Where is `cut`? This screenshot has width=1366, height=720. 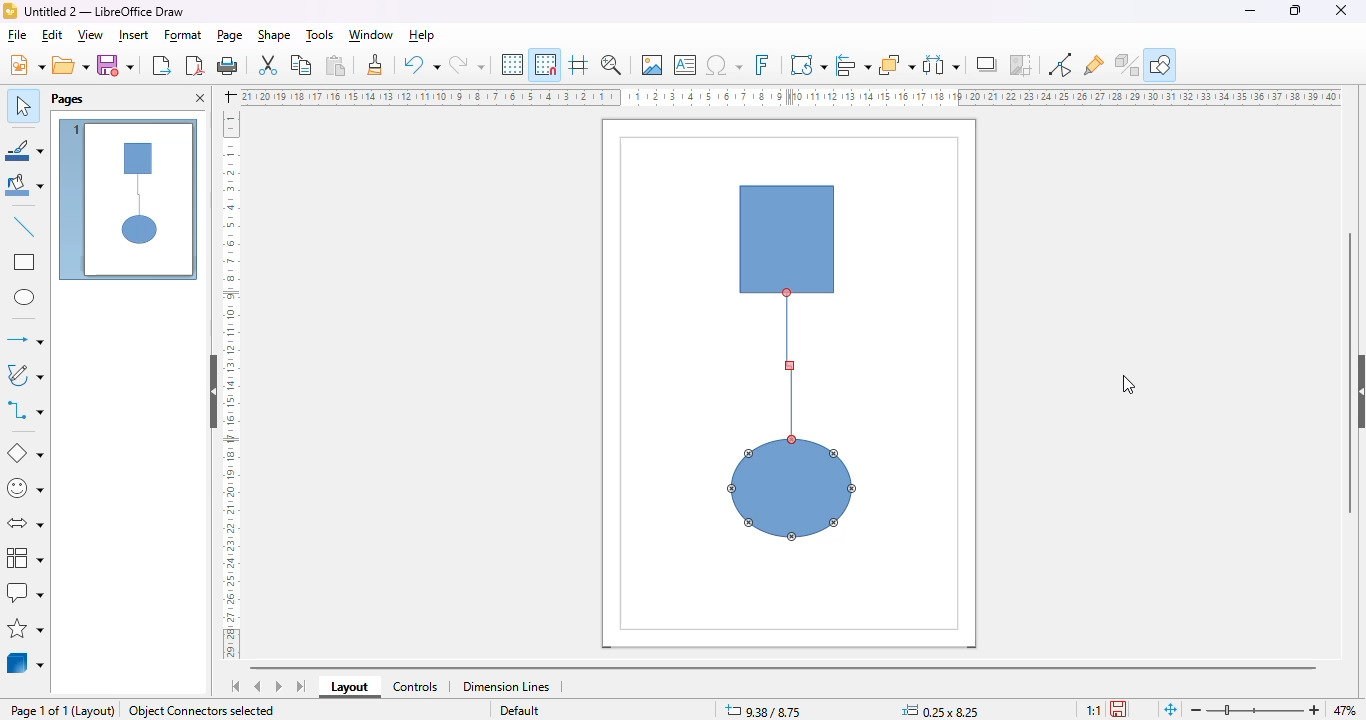 cut is located at coordinates (268, 65).